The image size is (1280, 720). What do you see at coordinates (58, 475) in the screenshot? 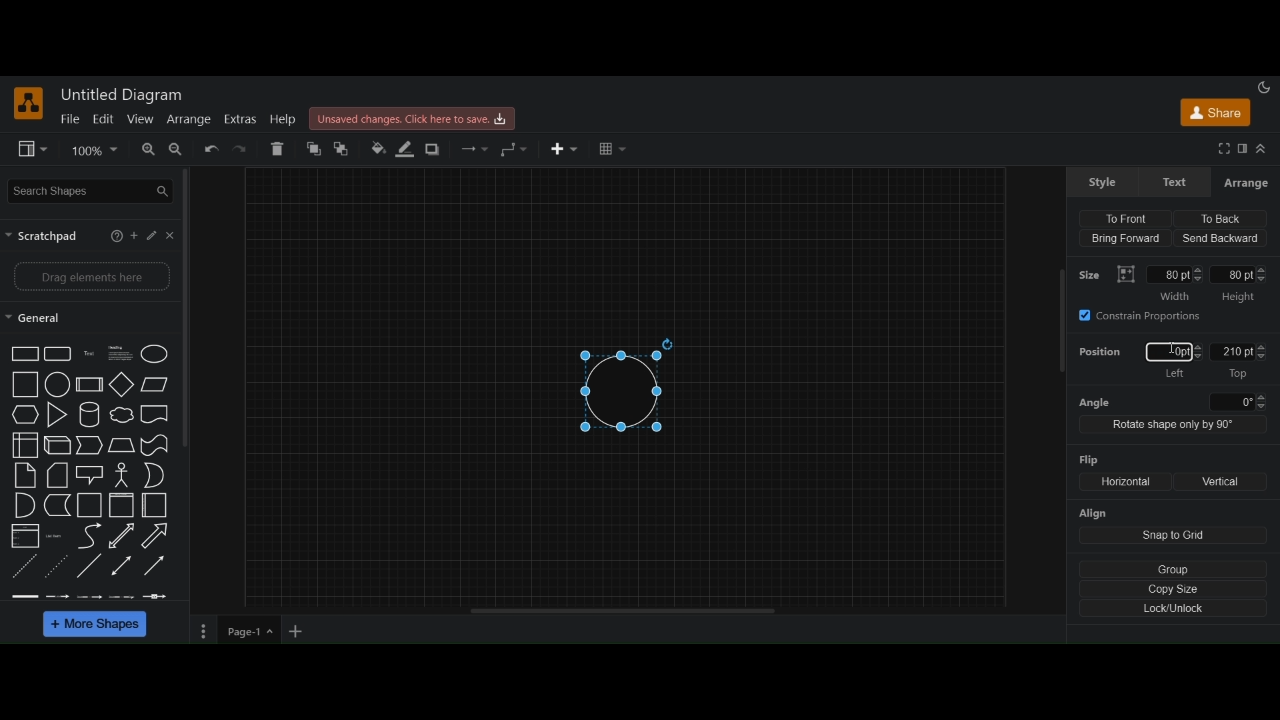
I see `Paste` at bounding box center [58, 475].